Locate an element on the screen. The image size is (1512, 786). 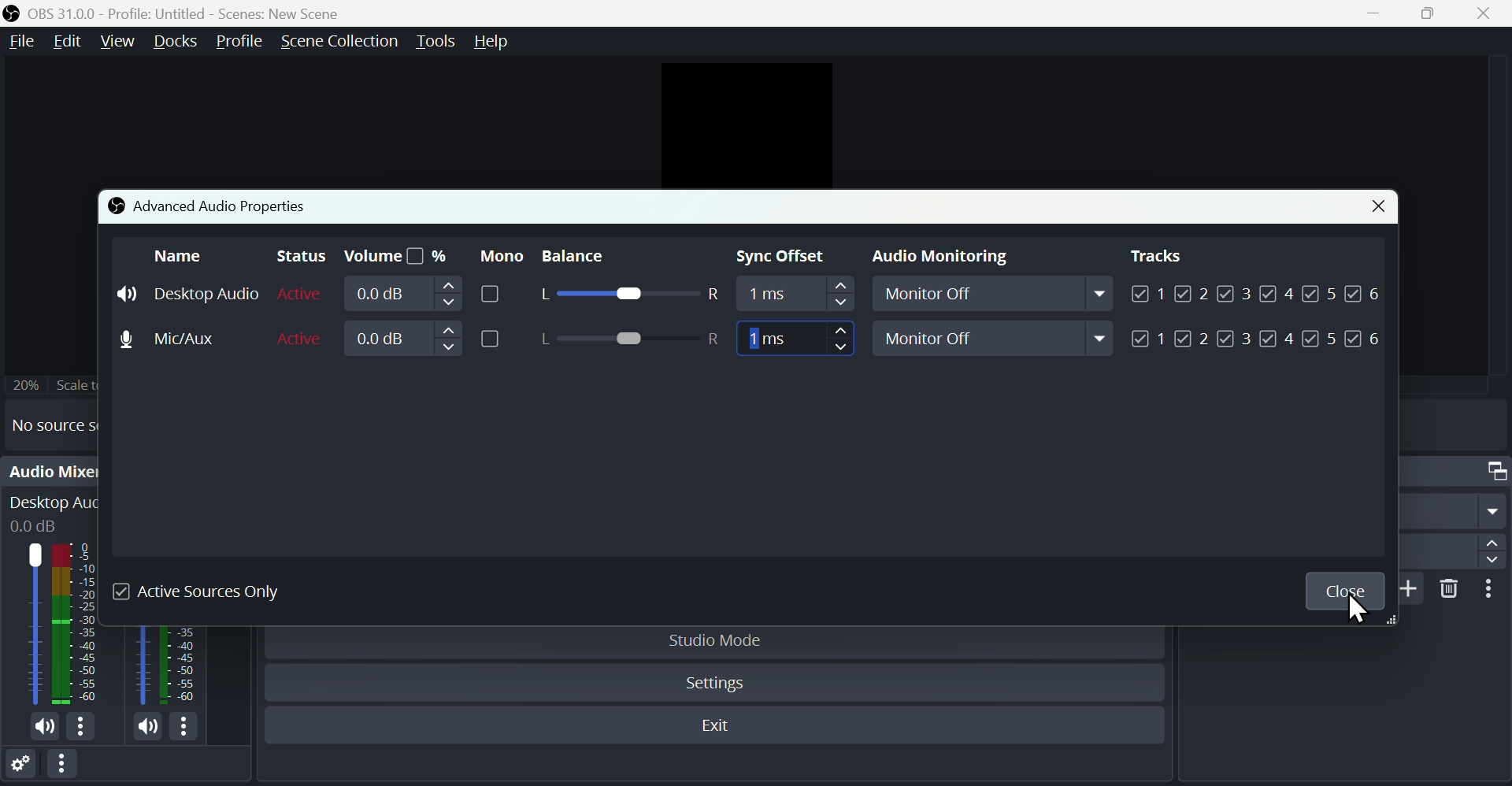
(un)mute is located at coordinates (148, 728).